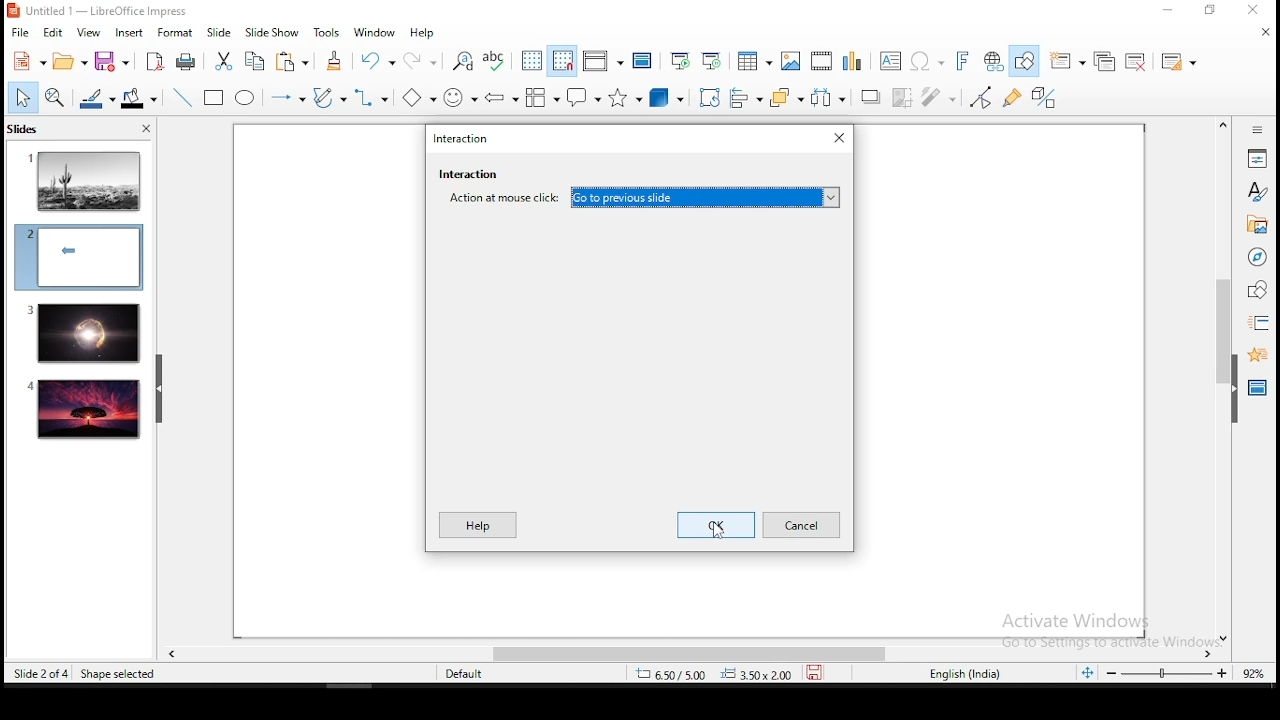 This screenshot has height=720, width=1280. Describe the element at coordinates (1167, 674) in the screenshot. I see `zoom` at that location.